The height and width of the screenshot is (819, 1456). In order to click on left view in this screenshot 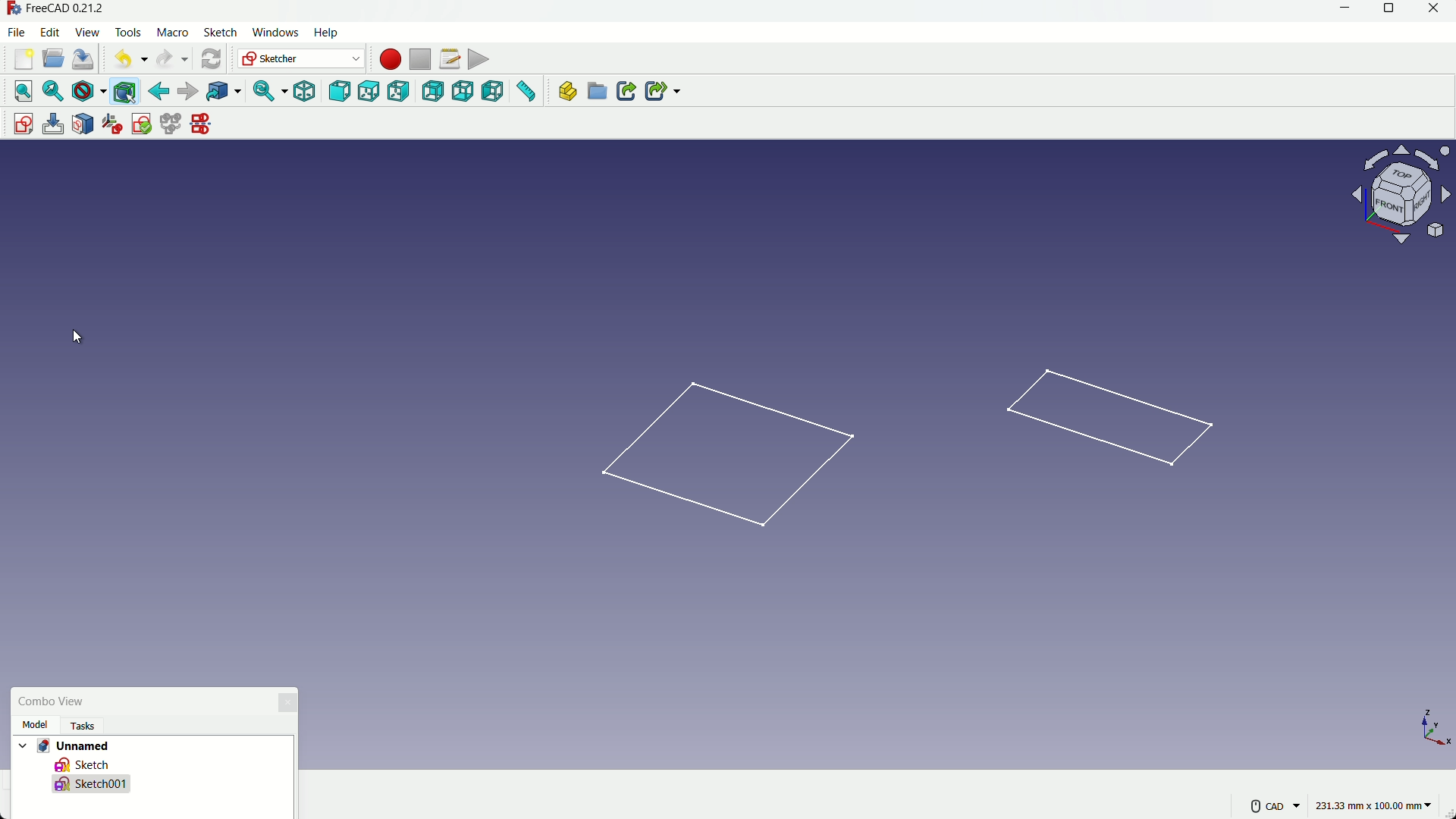, I will do `click(490, 90)`.